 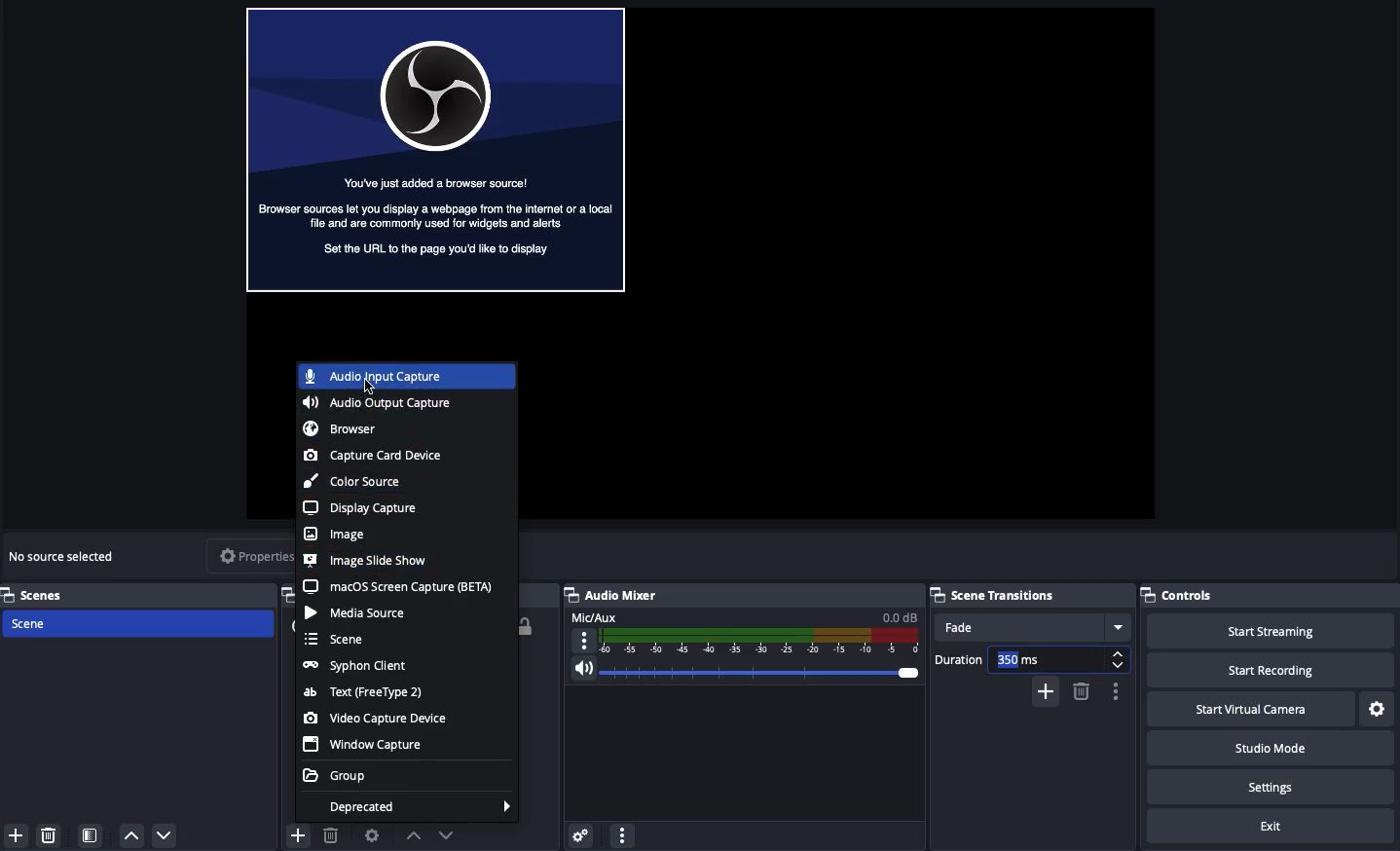 I want to click on Audio output capture, so click(x=379, y=404).